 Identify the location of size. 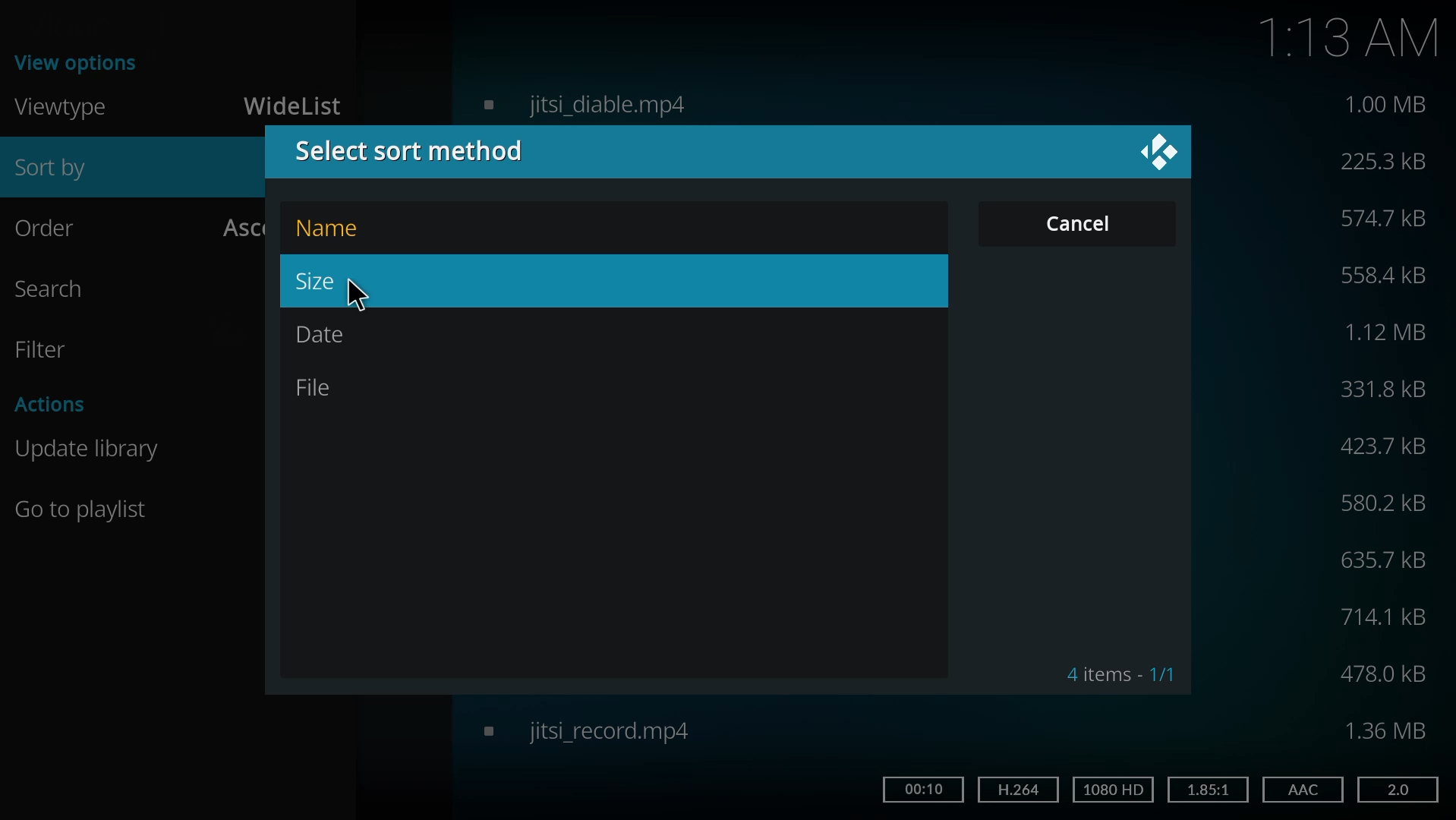
(1388, 159).